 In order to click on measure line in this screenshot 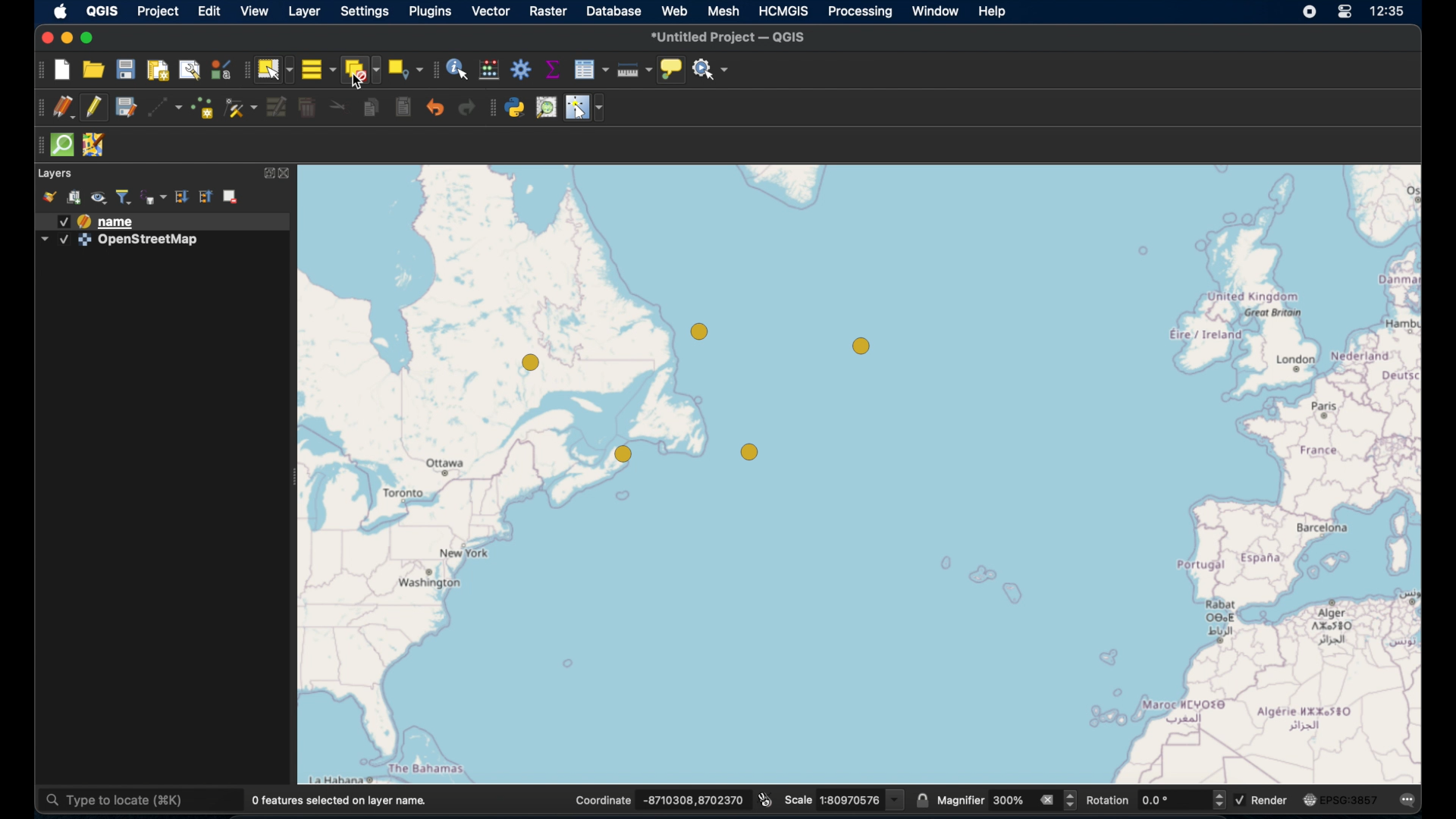, I will do `click(632, 71)`.